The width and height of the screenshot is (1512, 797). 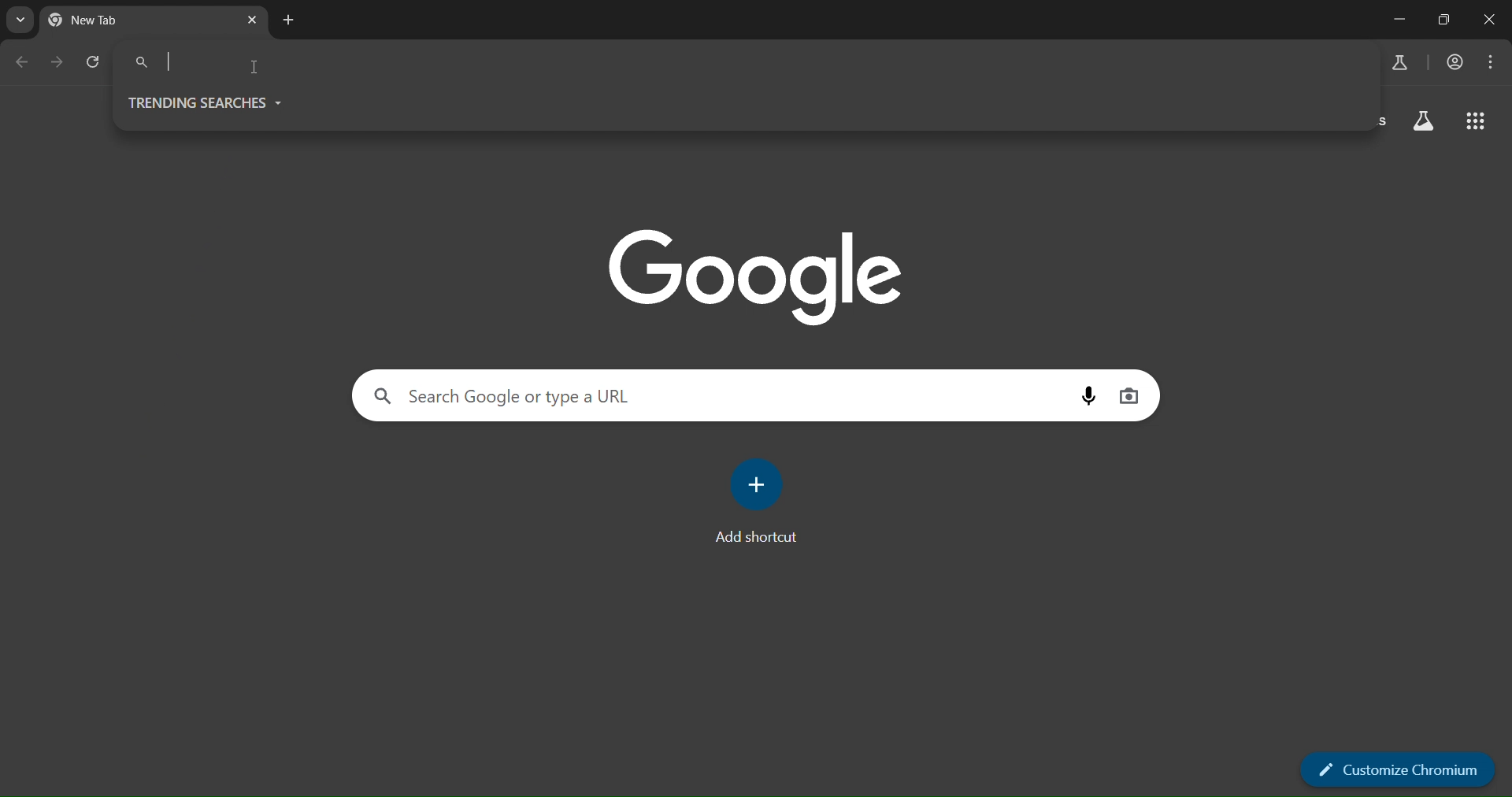 I want to click on close, so click(x=1492, y=19).